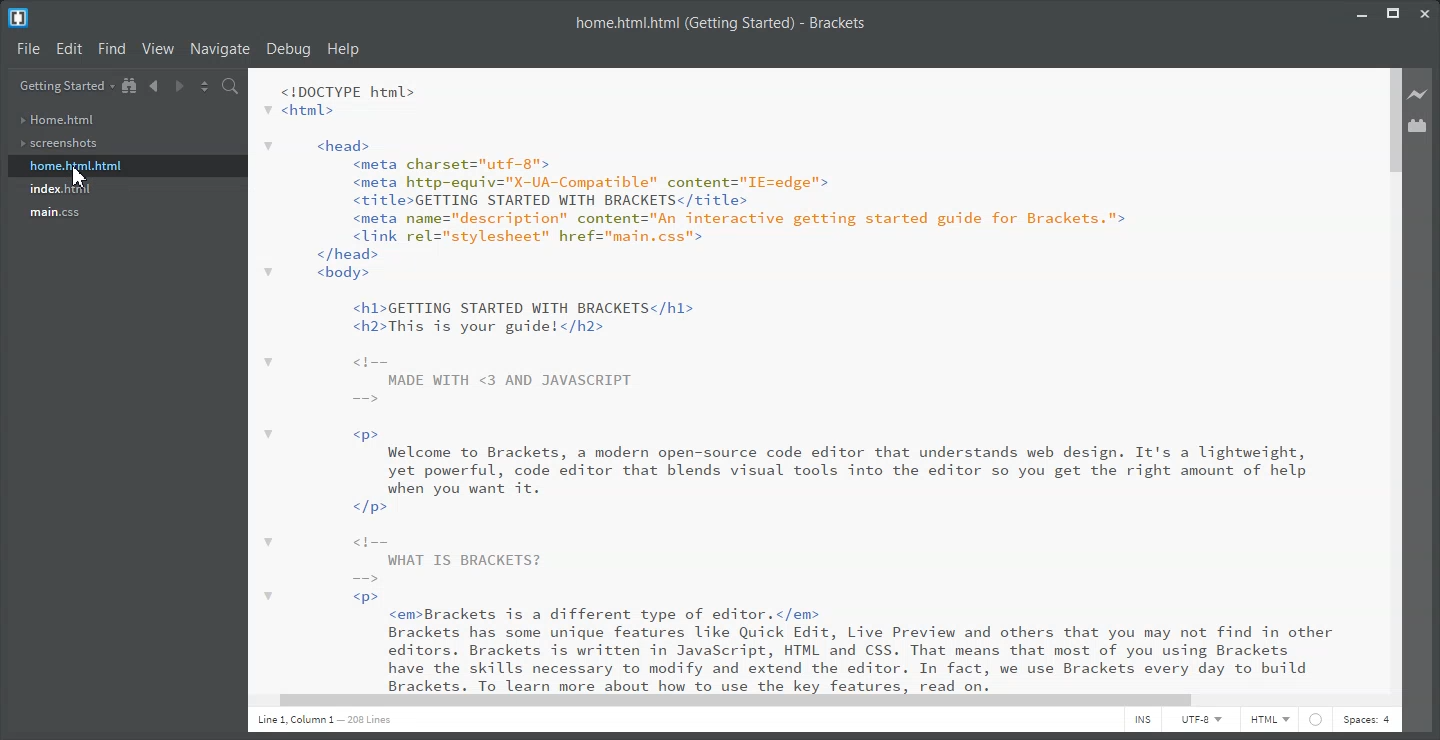  Describe the element at coordinates (178, 85) in the screenshot. I see `Navigate Forward` at that location.